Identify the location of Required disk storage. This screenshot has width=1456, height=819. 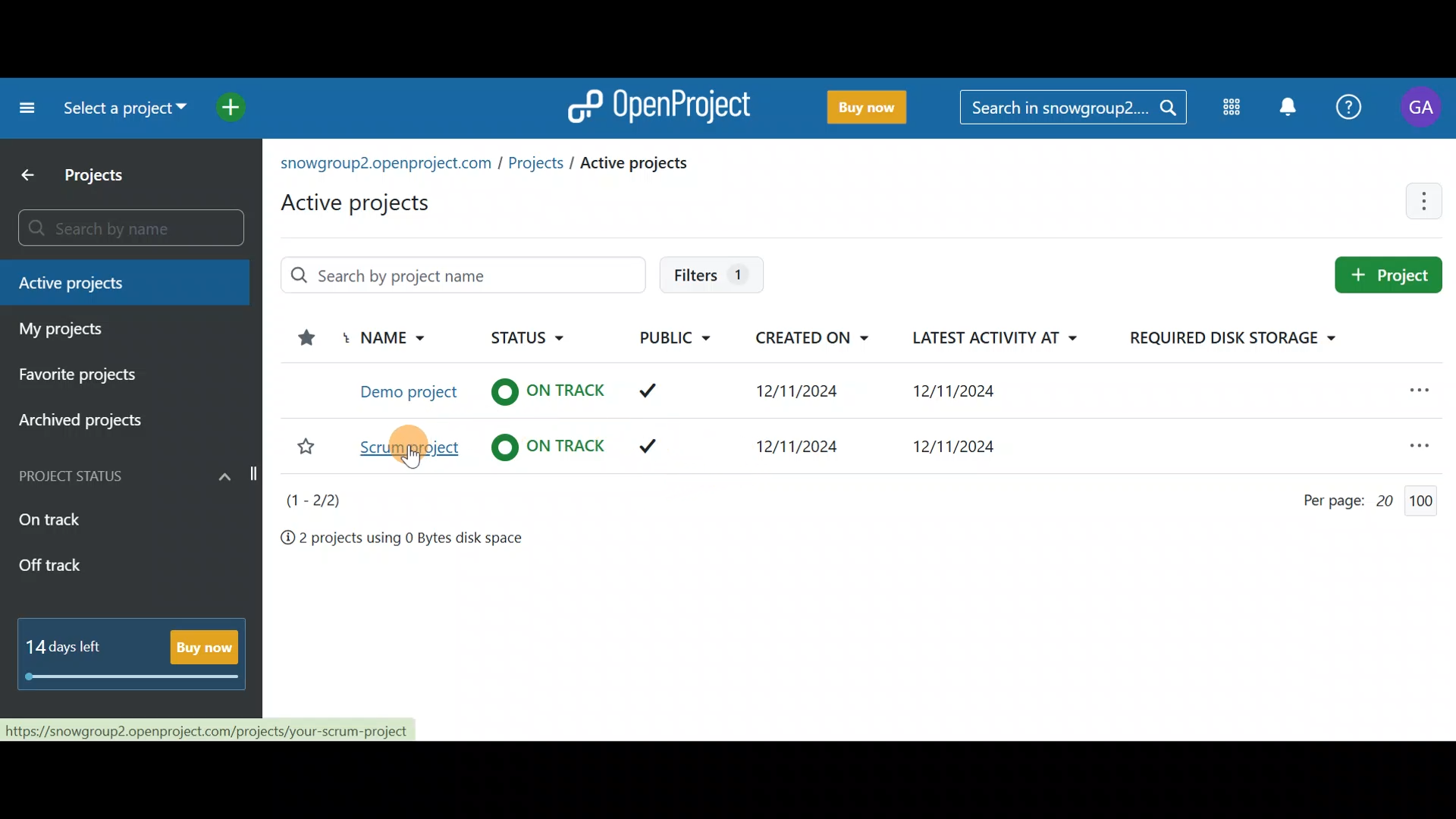
(1216, 337).